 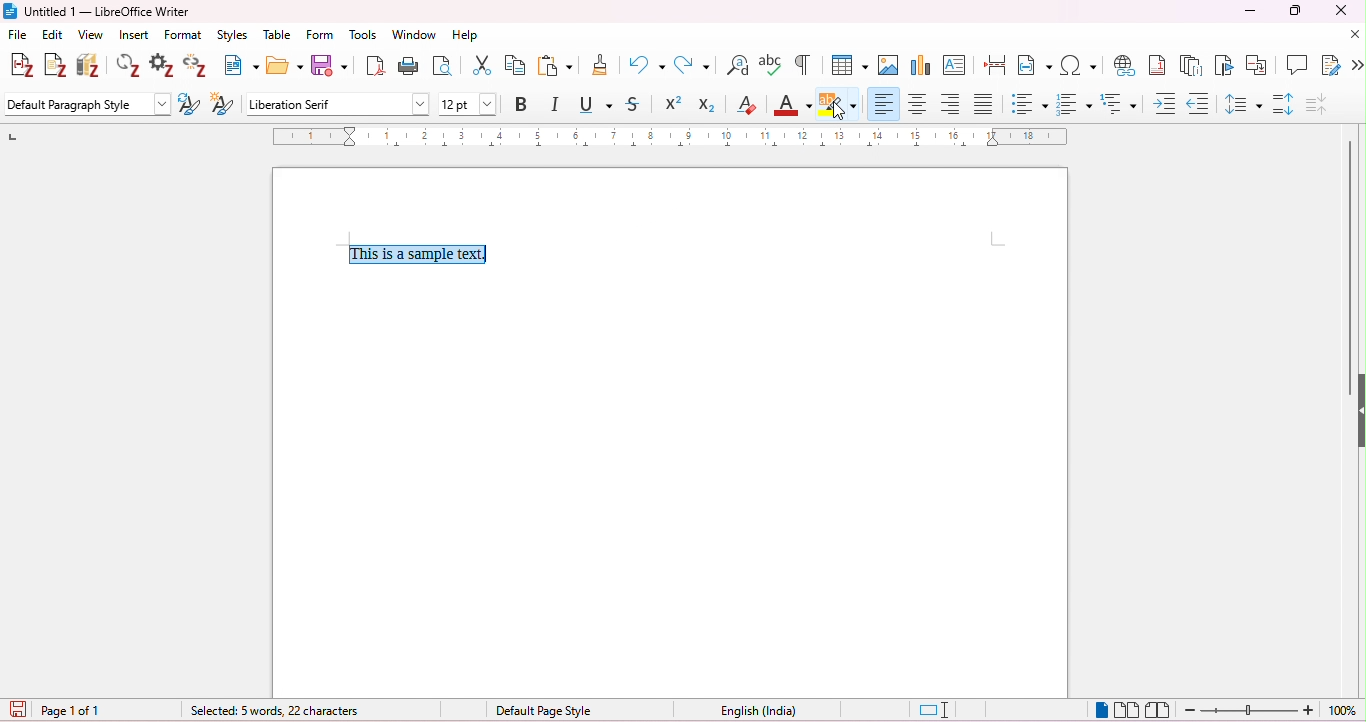 What do you see at coordinates (1243, 103) in the screenshot?
I see `line spacing` at bounding box center [1243, 103].